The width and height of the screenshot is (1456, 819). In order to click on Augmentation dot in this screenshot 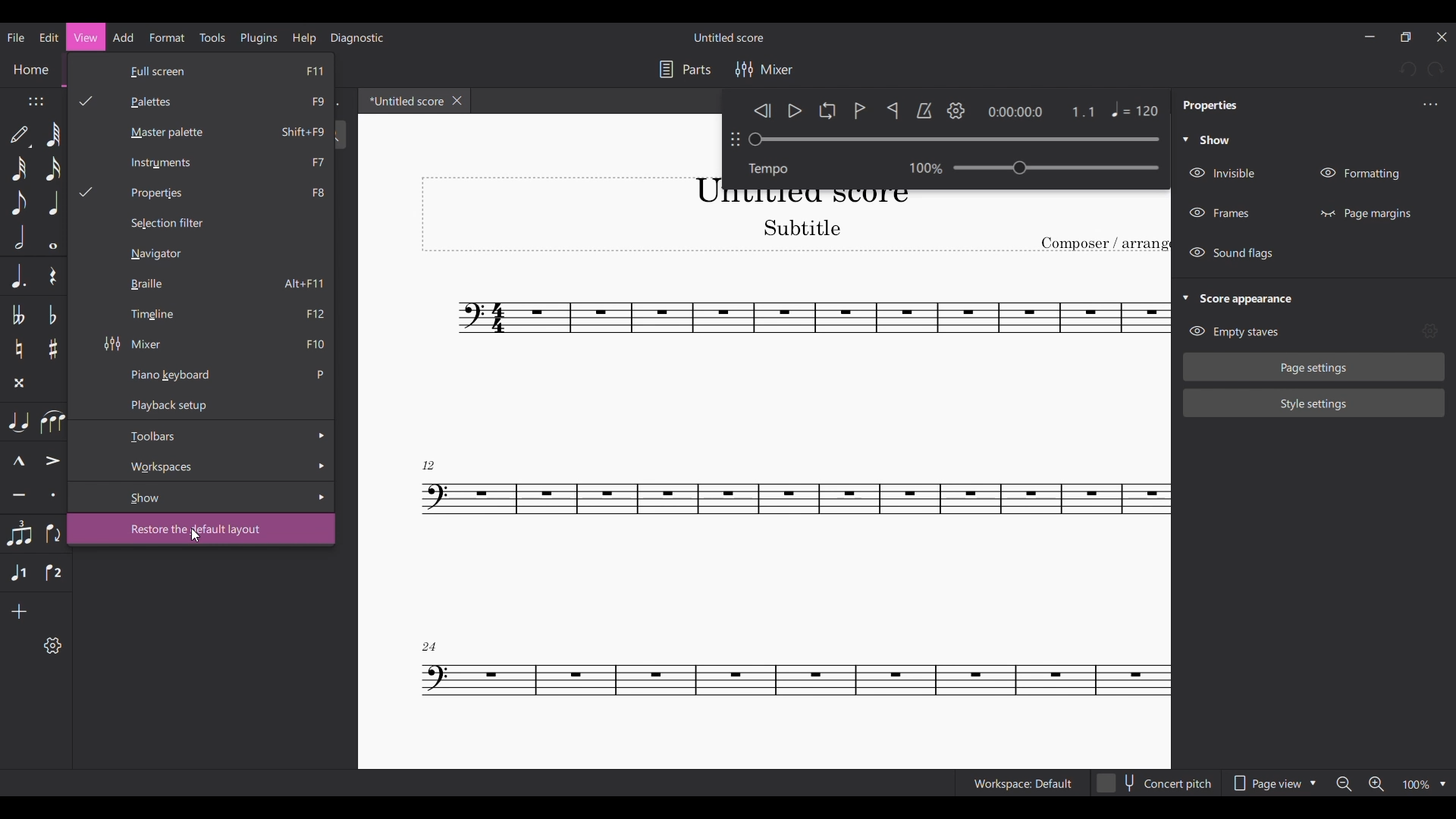, I will do `click(17, 276)`.